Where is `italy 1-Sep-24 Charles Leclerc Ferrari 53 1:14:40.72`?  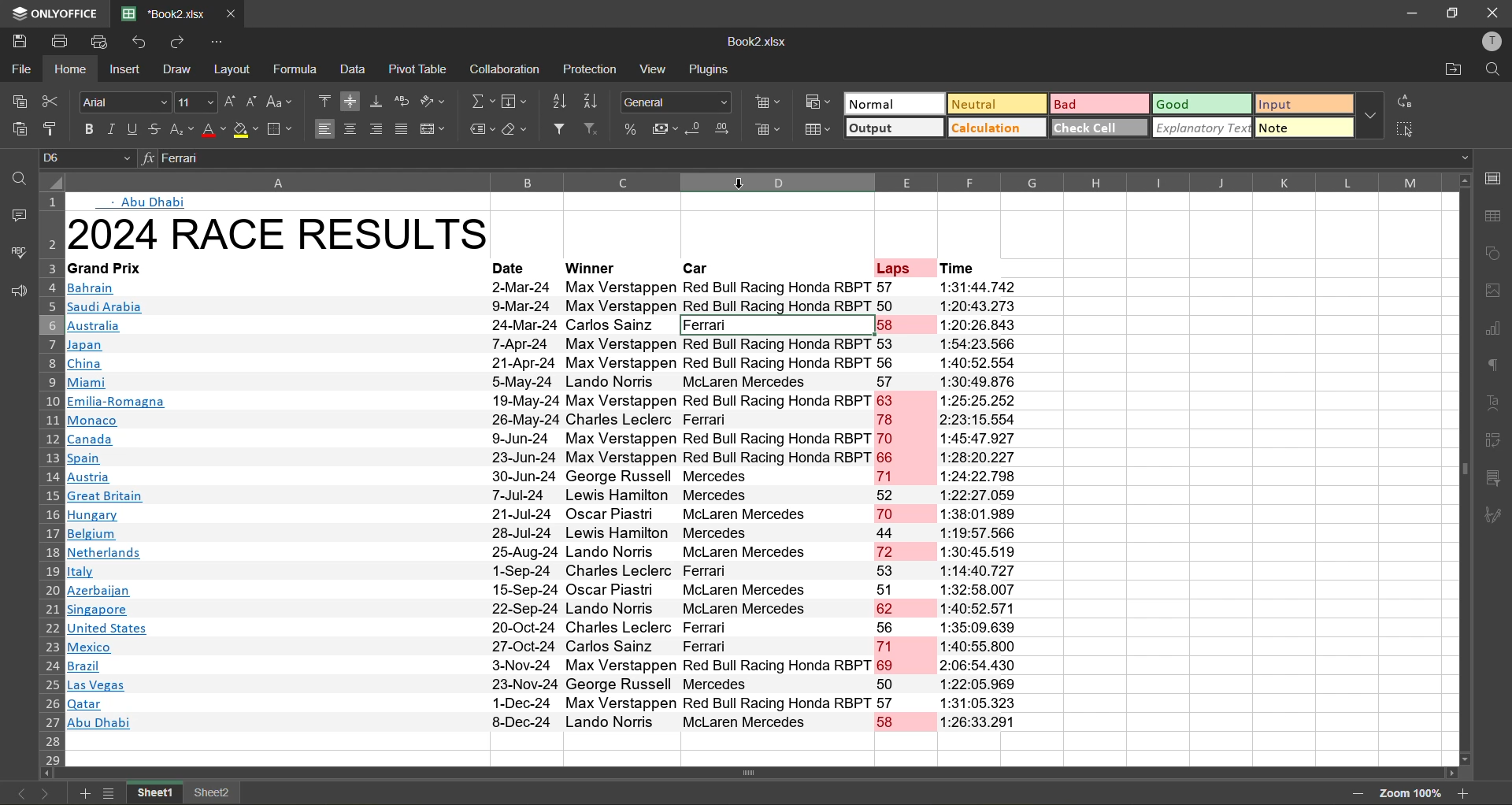
italy 1-Sep-24 Charles Leclerc Ferrari 53 1:14:40.72 is located at coordinates (539, 572).